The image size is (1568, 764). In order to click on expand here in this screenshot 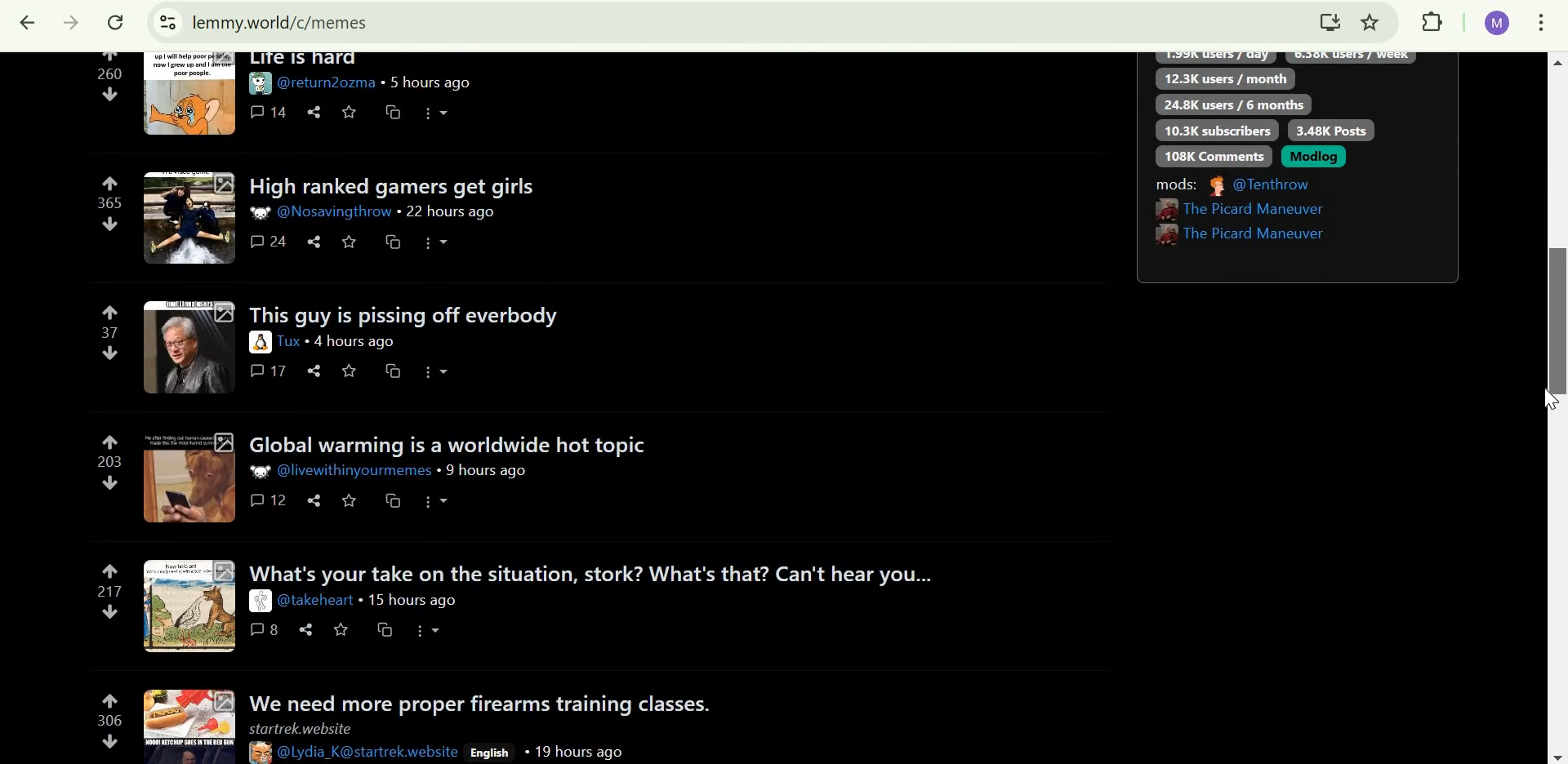, I will do `click(187, 93)`.